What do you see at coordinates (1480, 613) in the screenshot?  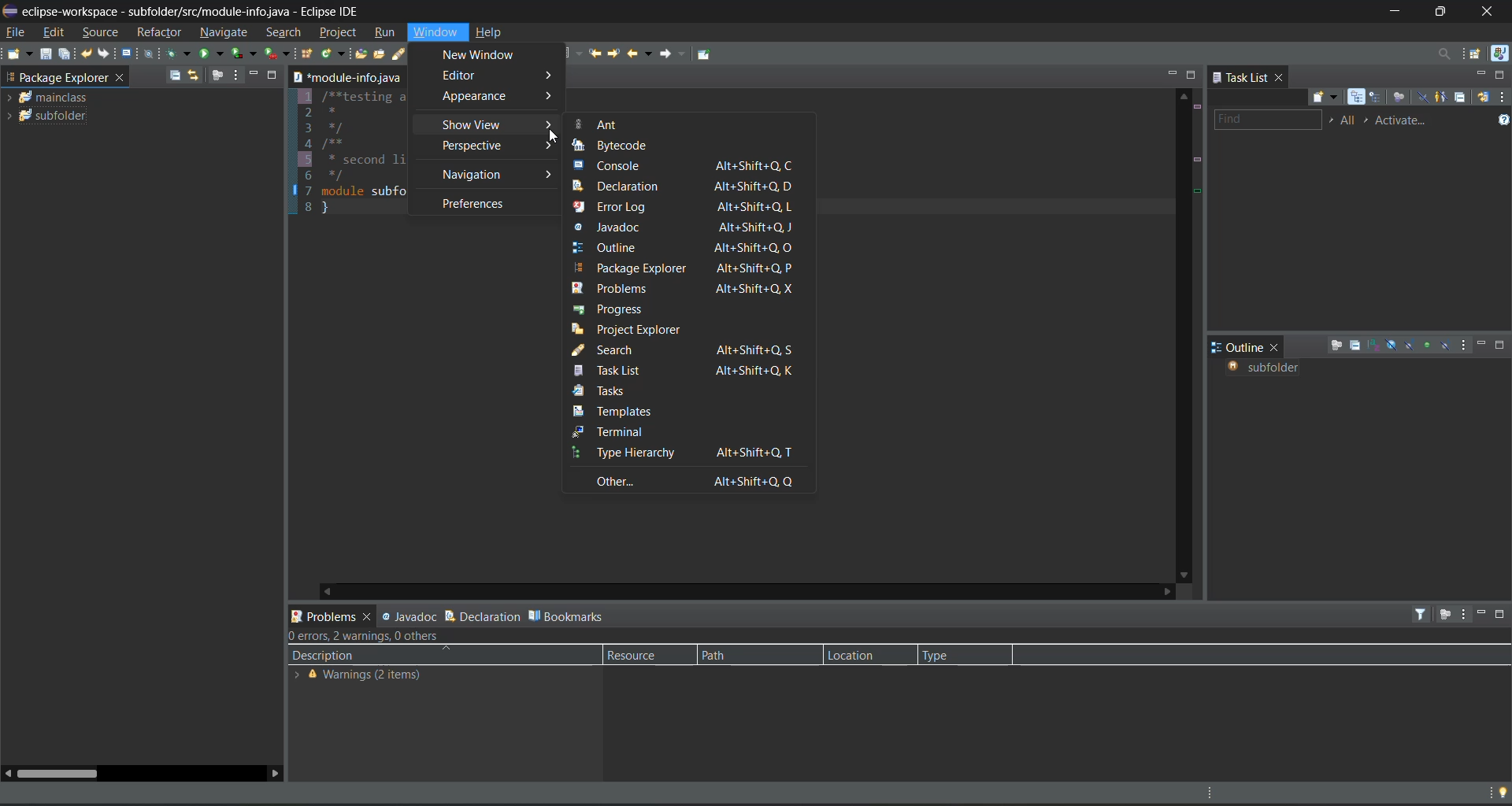 I see `minimize` at bounding box center [1480, 613].